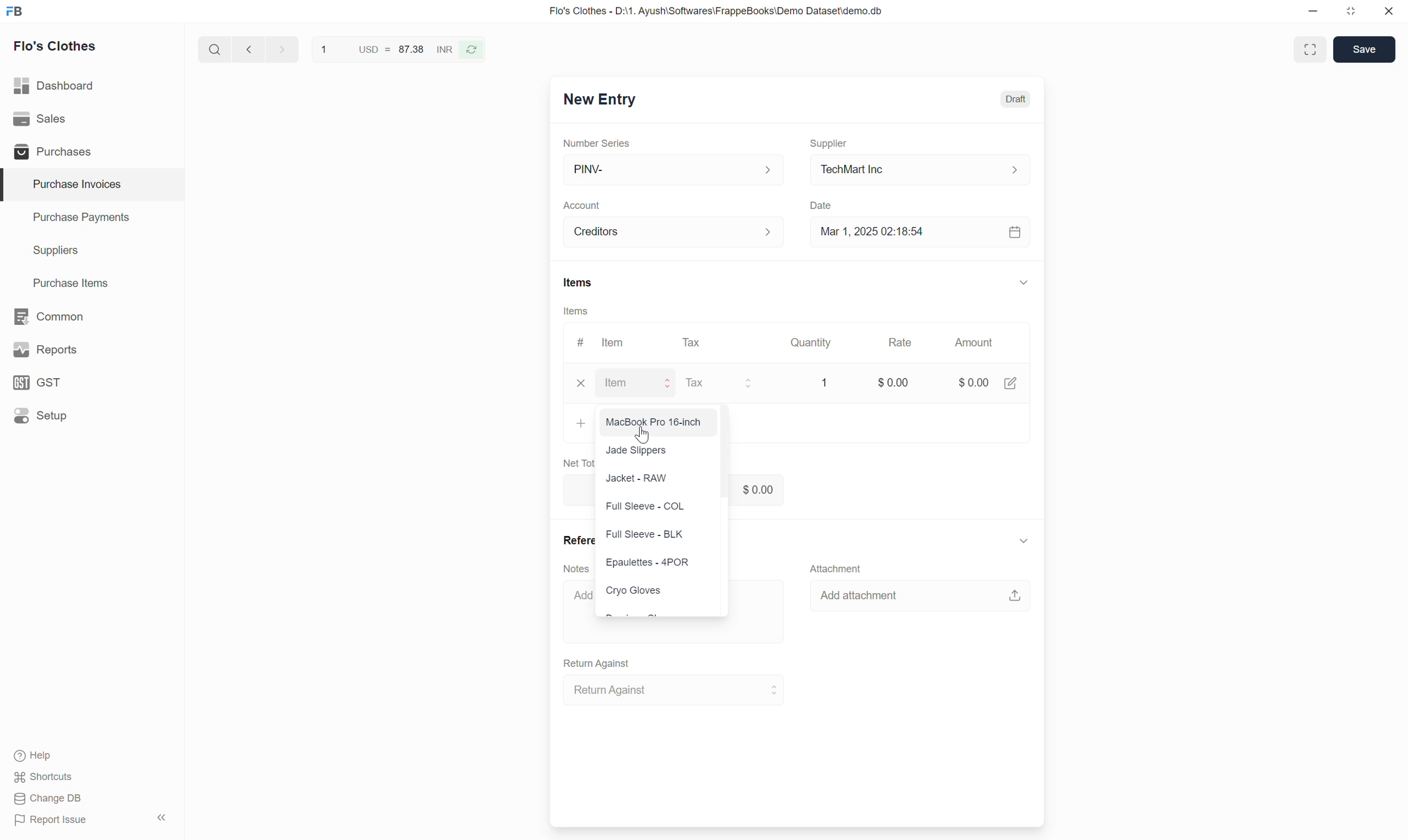 This screenshot has height=840, width=1408. I want to click on New Entry, so click(601, 100).